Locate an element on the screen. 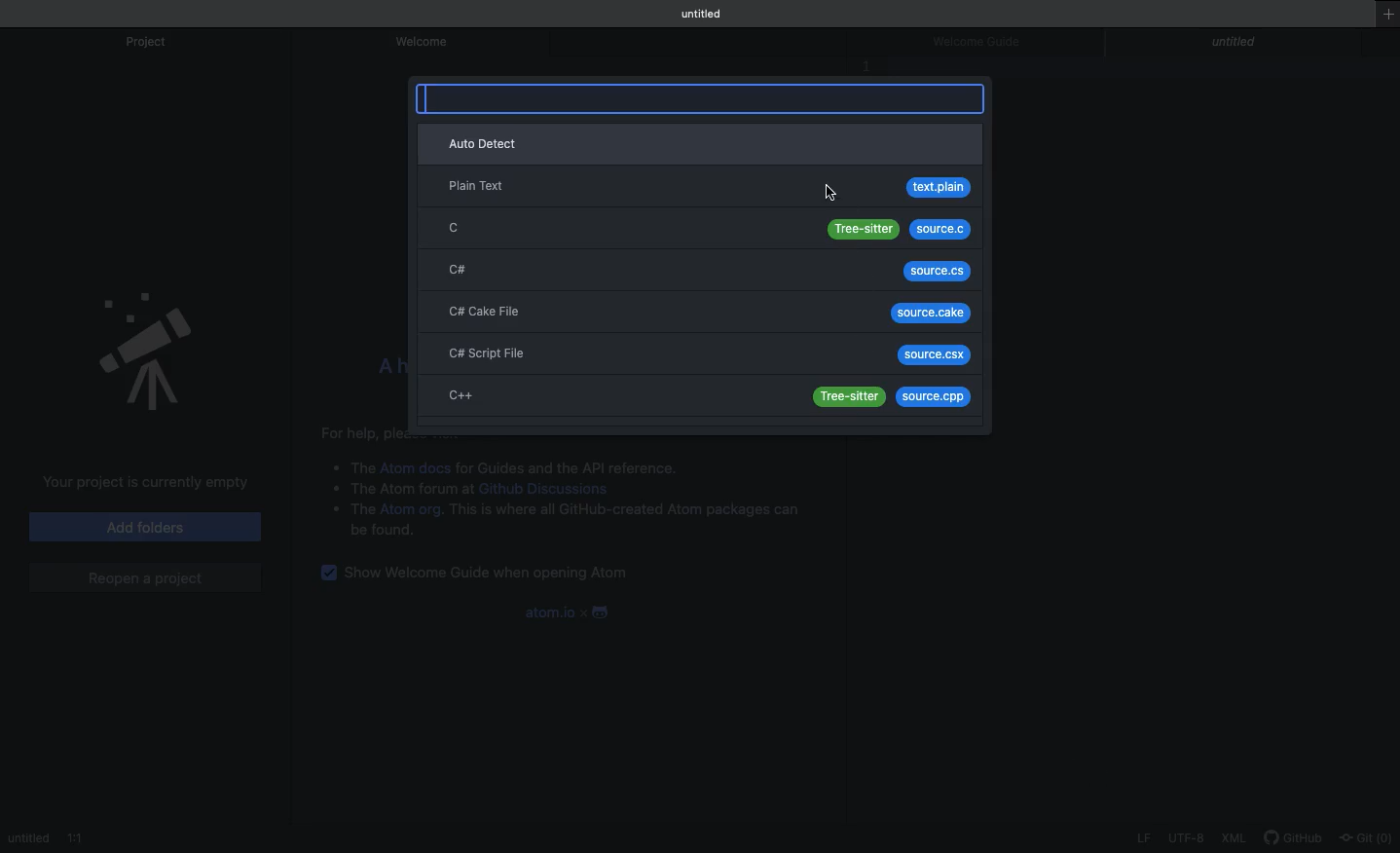  Welcome is located at coordinates (425, 45).